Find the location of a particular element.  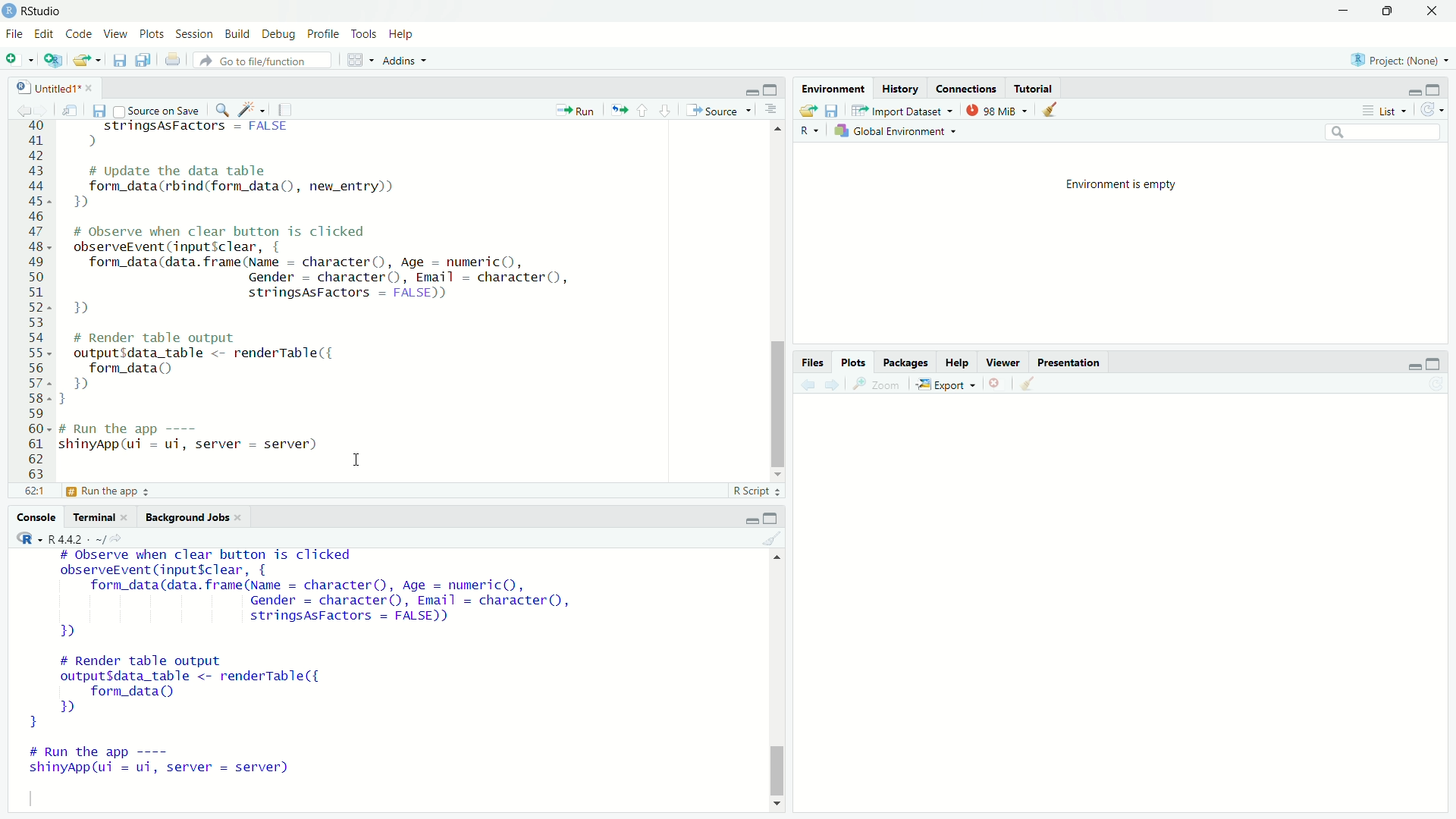

move down is located at coordinates (778, 474).